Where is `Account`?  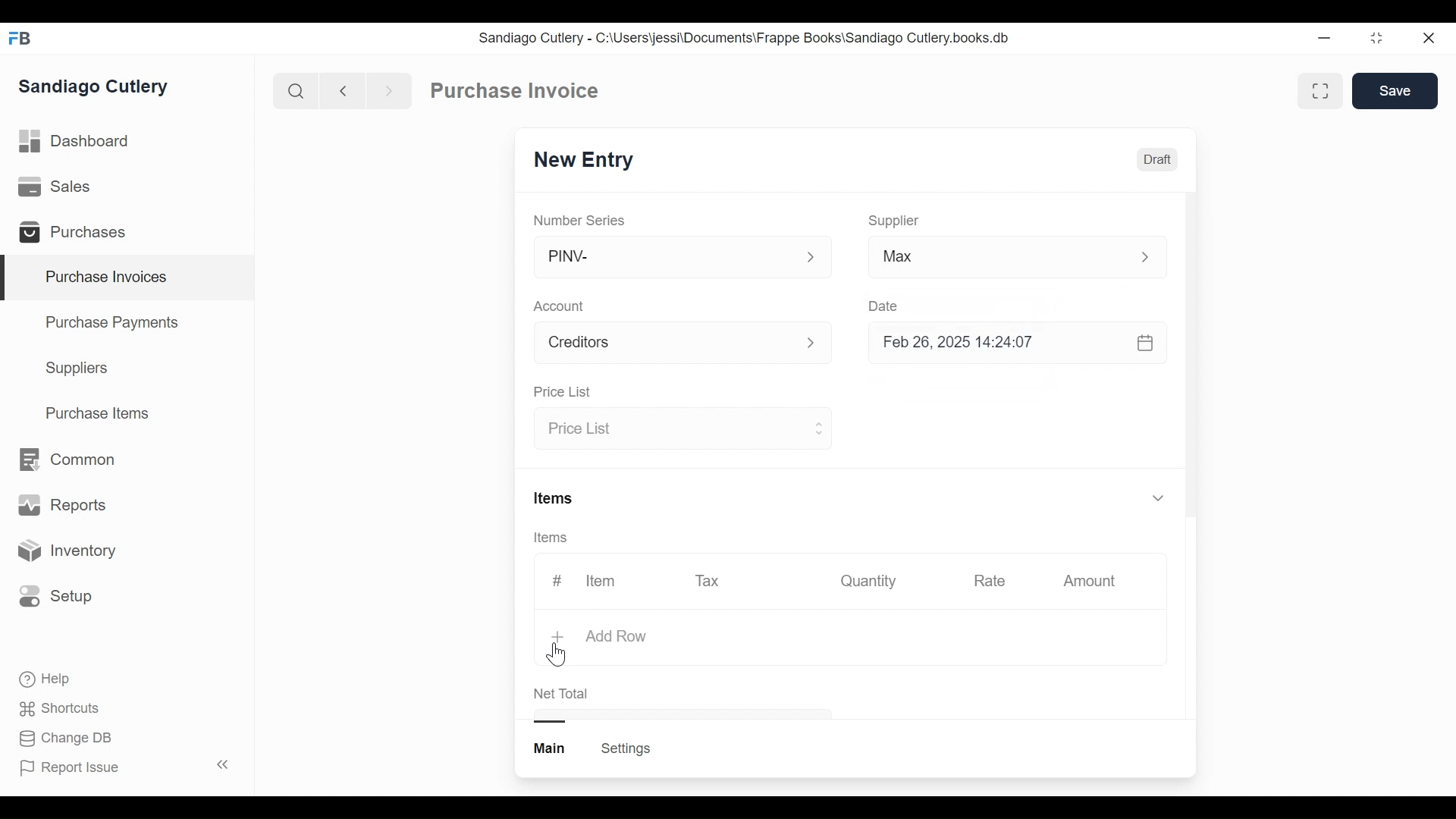 Account is located at coordinates (664, 345).